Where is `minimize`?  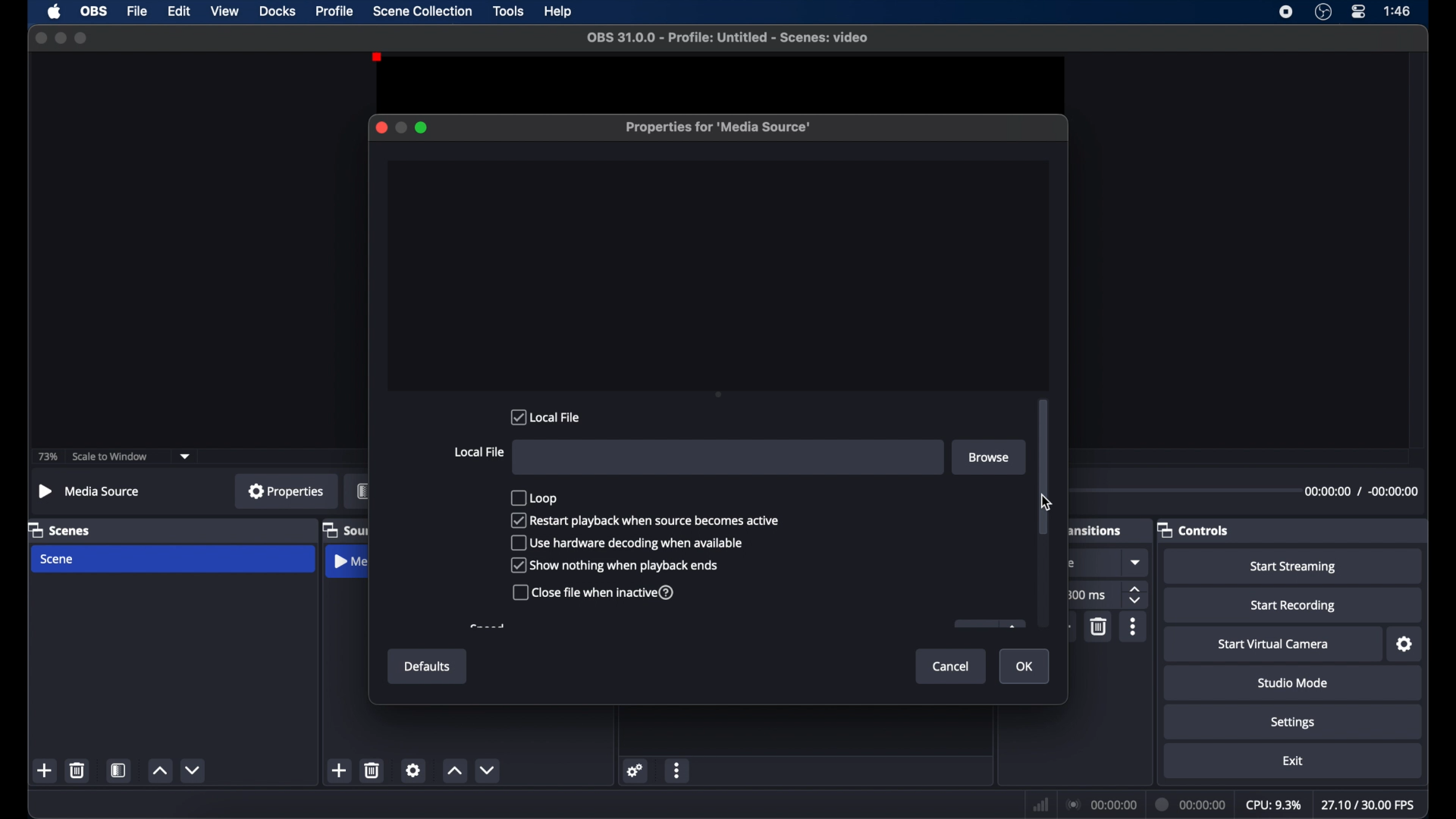
minimize is located at coordinates (400, 127).